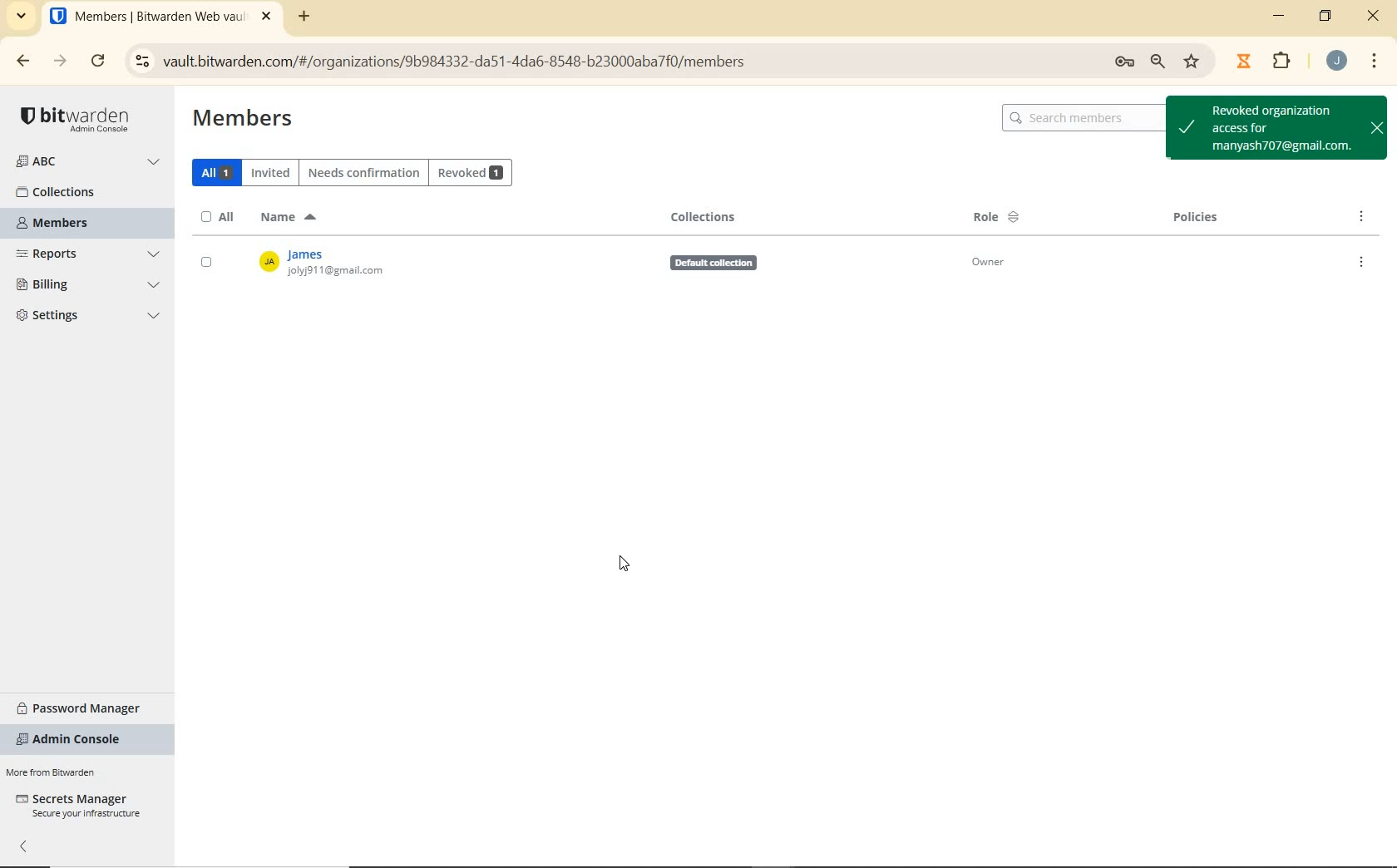 This screenshot has height=868, width=1397. Describe the element at coordinates (1261, 128) in the screenshot. I see `REVOKED ORGANIZATION ACCESS FOR USER` at that location.